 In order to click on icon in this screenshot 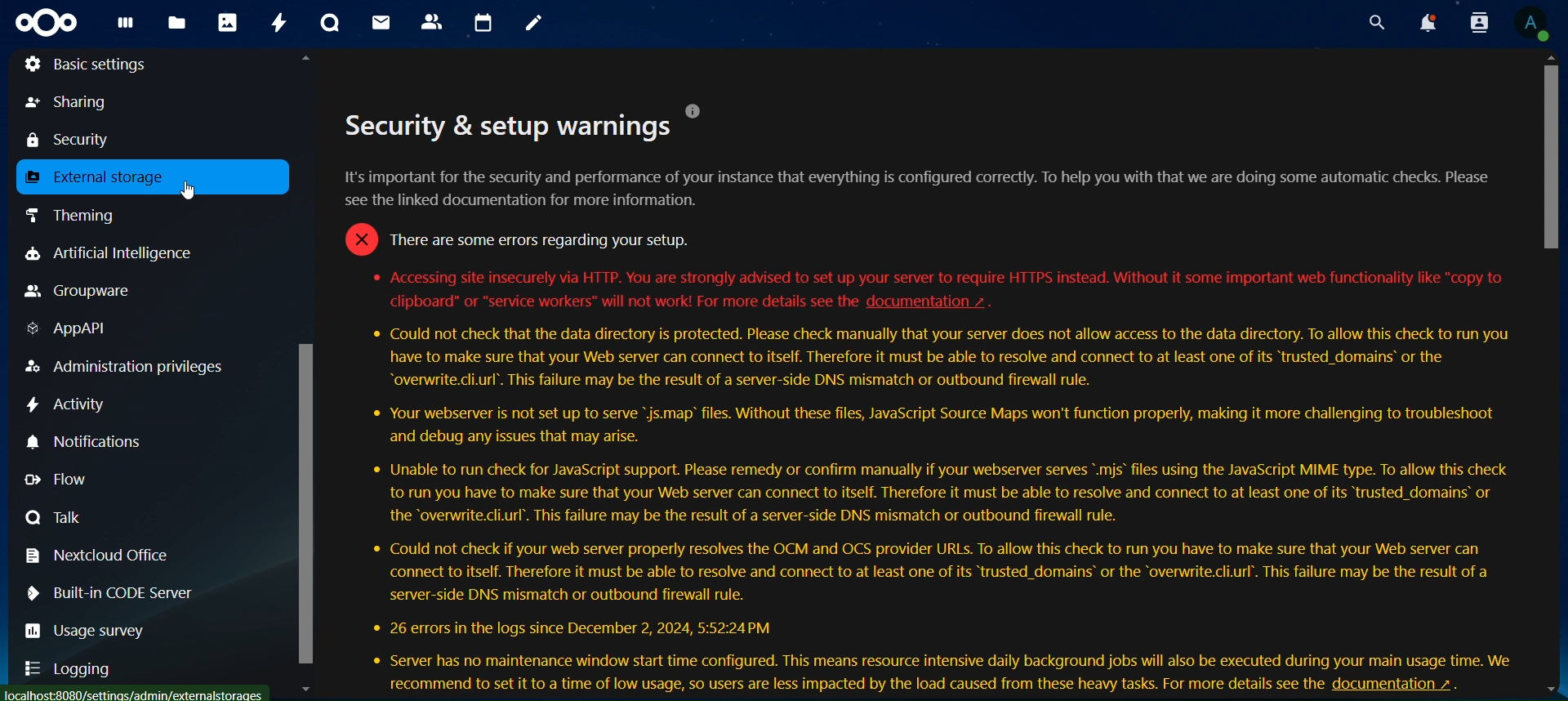, I will do `click(46, 21)`.